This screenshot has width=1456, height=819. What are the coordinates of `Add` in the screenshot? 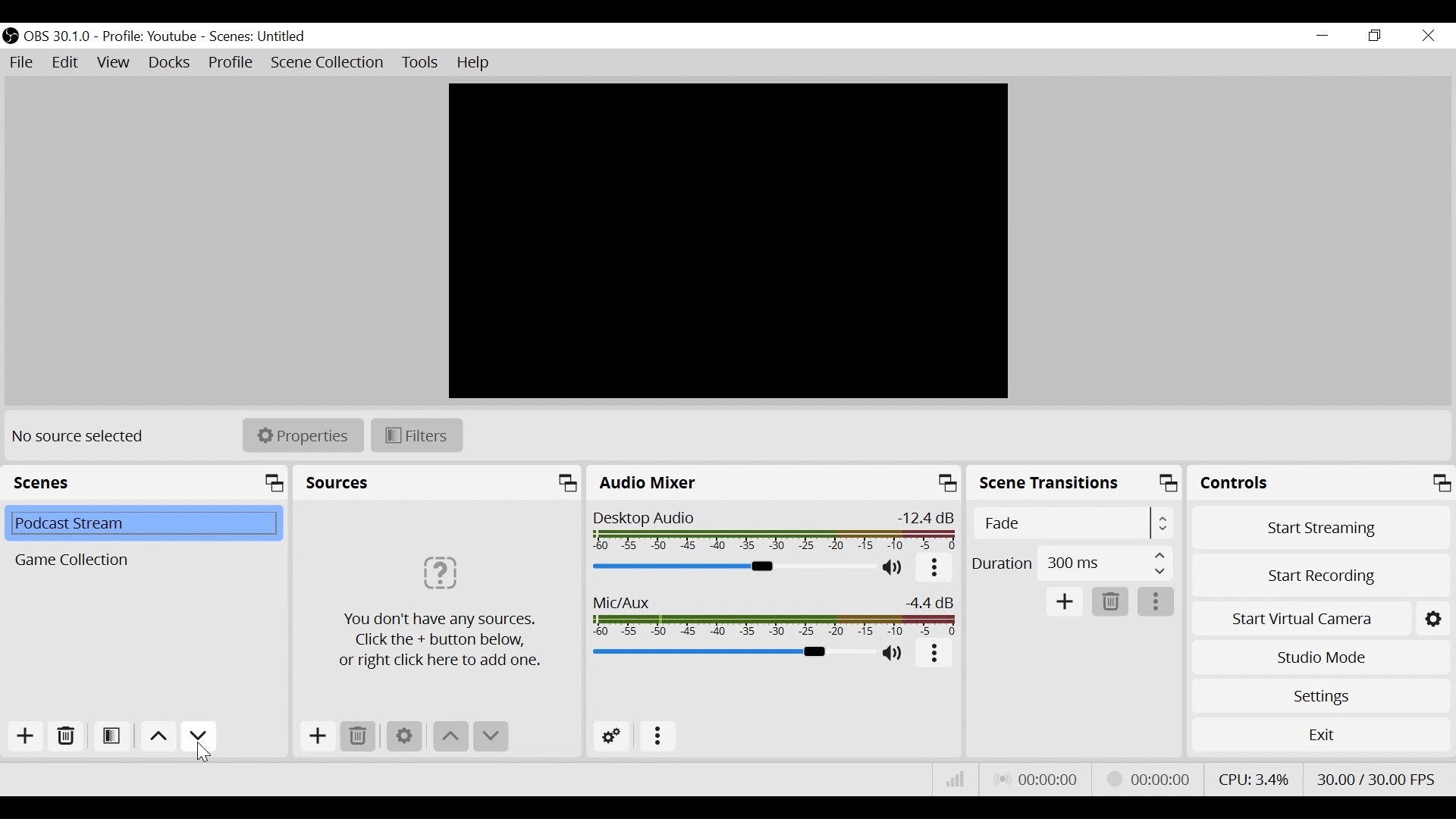 It's located at (1065, 601).